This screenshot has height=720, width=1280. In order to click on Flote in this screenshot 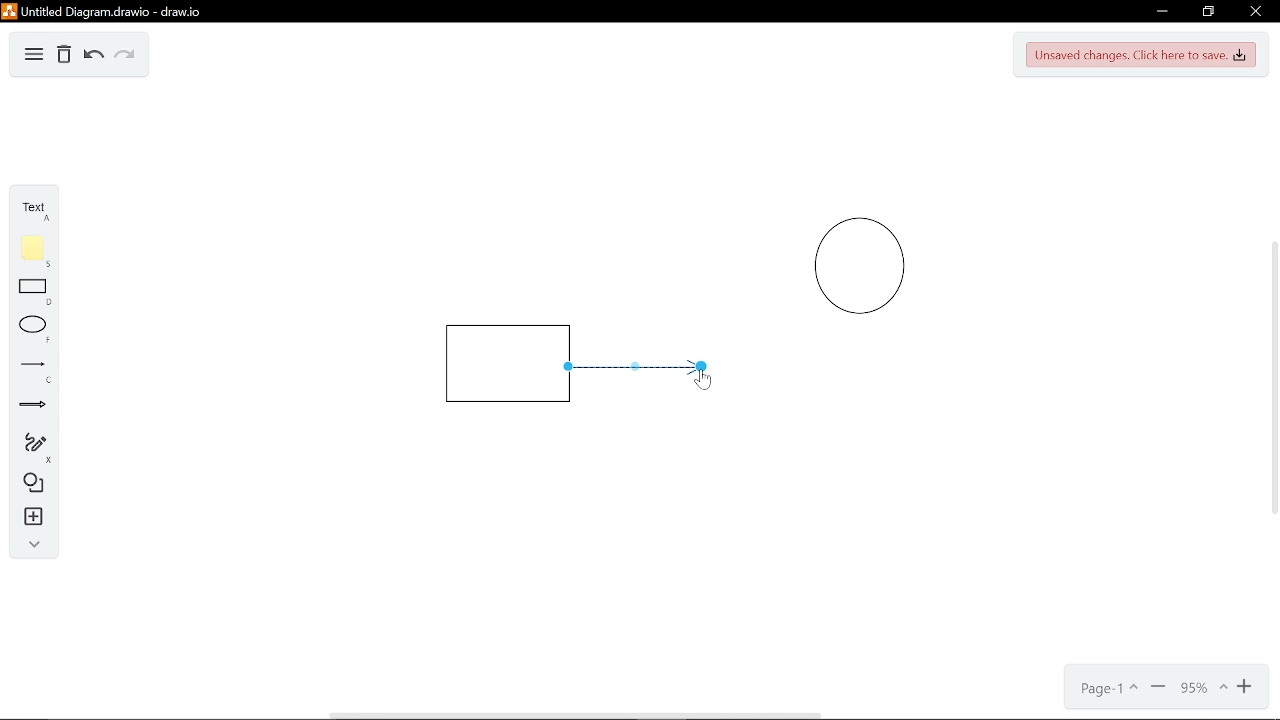, I will do `click(30, 251)`.